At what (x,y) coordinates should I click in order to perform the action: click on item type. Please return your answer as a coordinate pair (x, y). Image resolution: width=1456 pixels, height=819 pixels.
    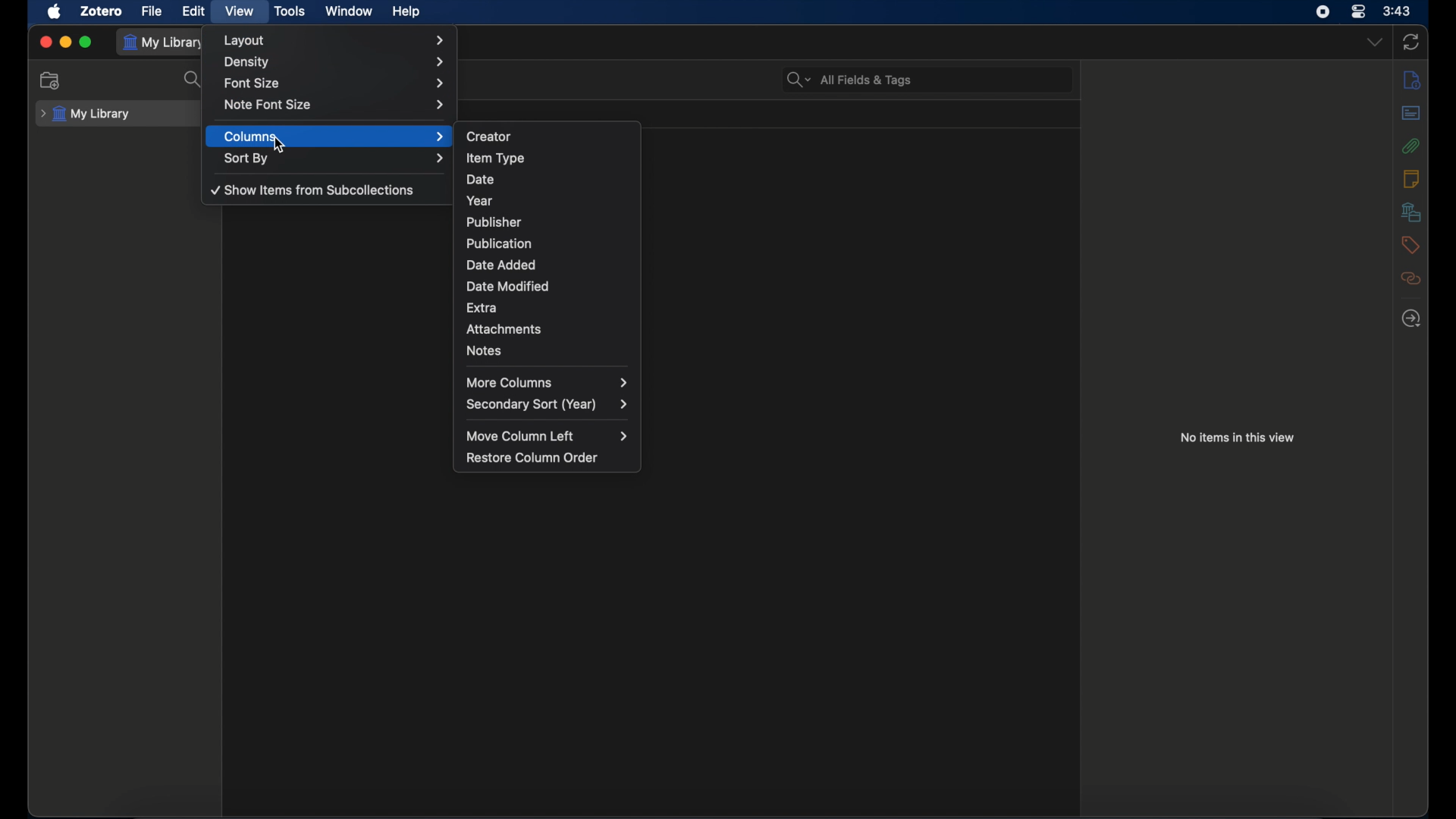
    Looking at the image, I should click on (549, 155).